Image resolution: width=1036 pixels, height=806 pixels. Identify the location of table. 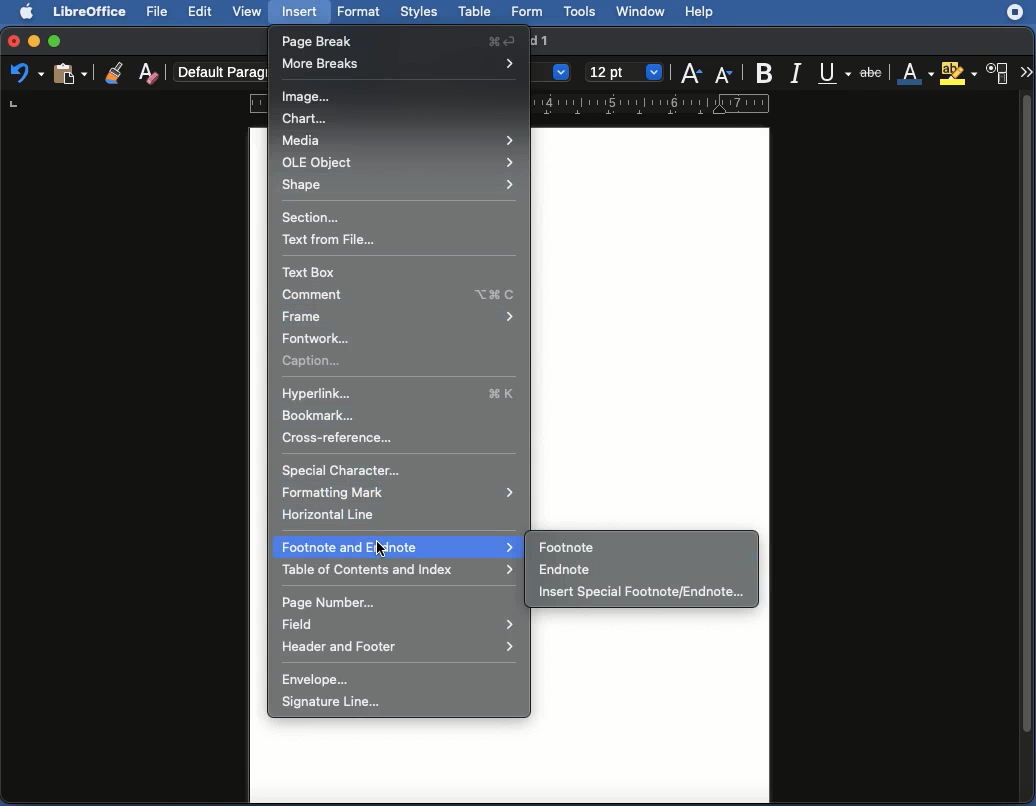
(475, 12).